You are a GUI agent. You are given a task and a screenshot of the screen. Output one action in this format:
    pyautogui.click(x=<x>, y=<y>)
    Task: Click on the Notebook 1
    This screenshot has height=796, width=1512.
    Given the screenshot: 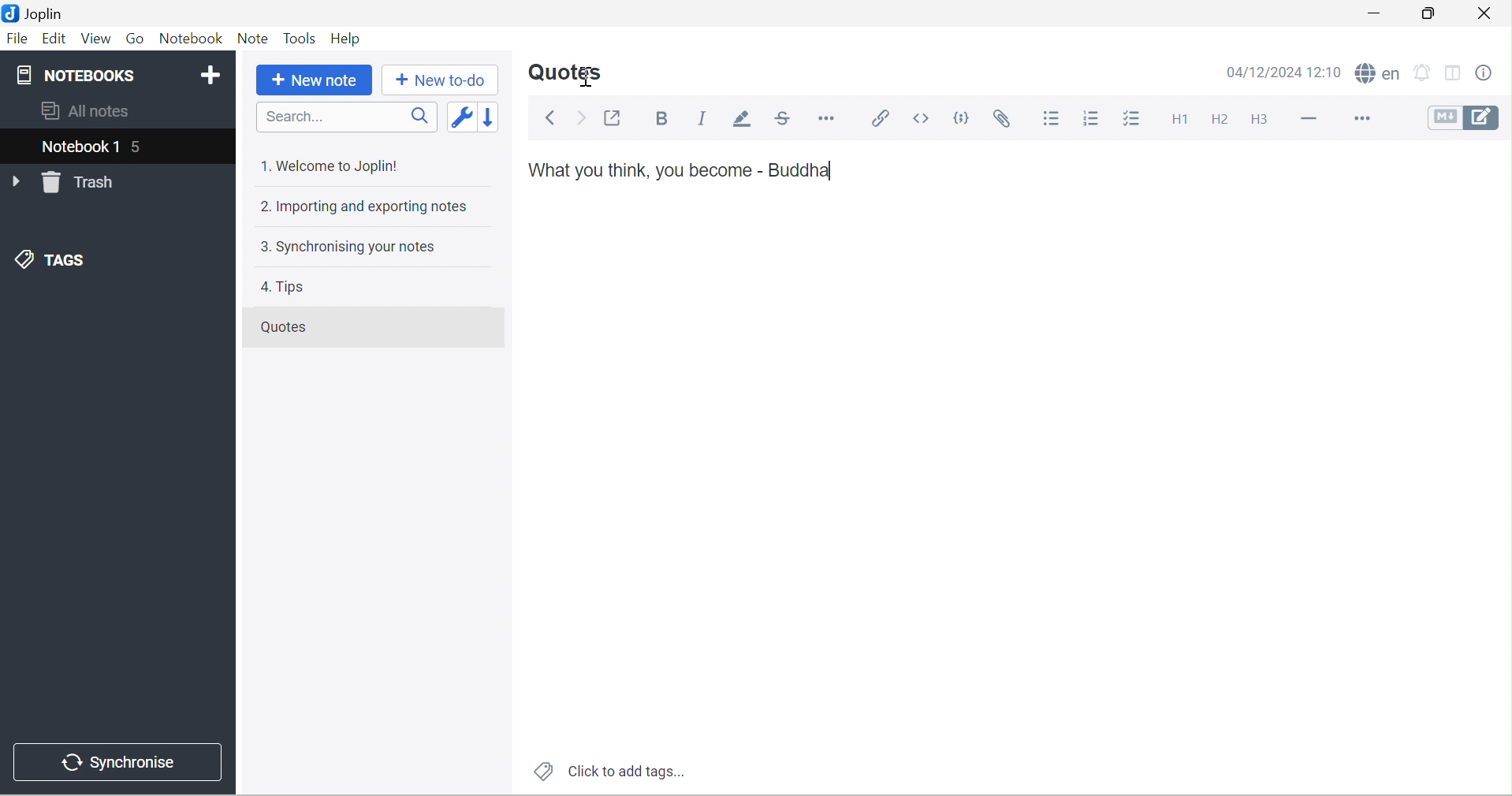 What is the action you would take?
    pyautogui.click(x=77, y=146)
    